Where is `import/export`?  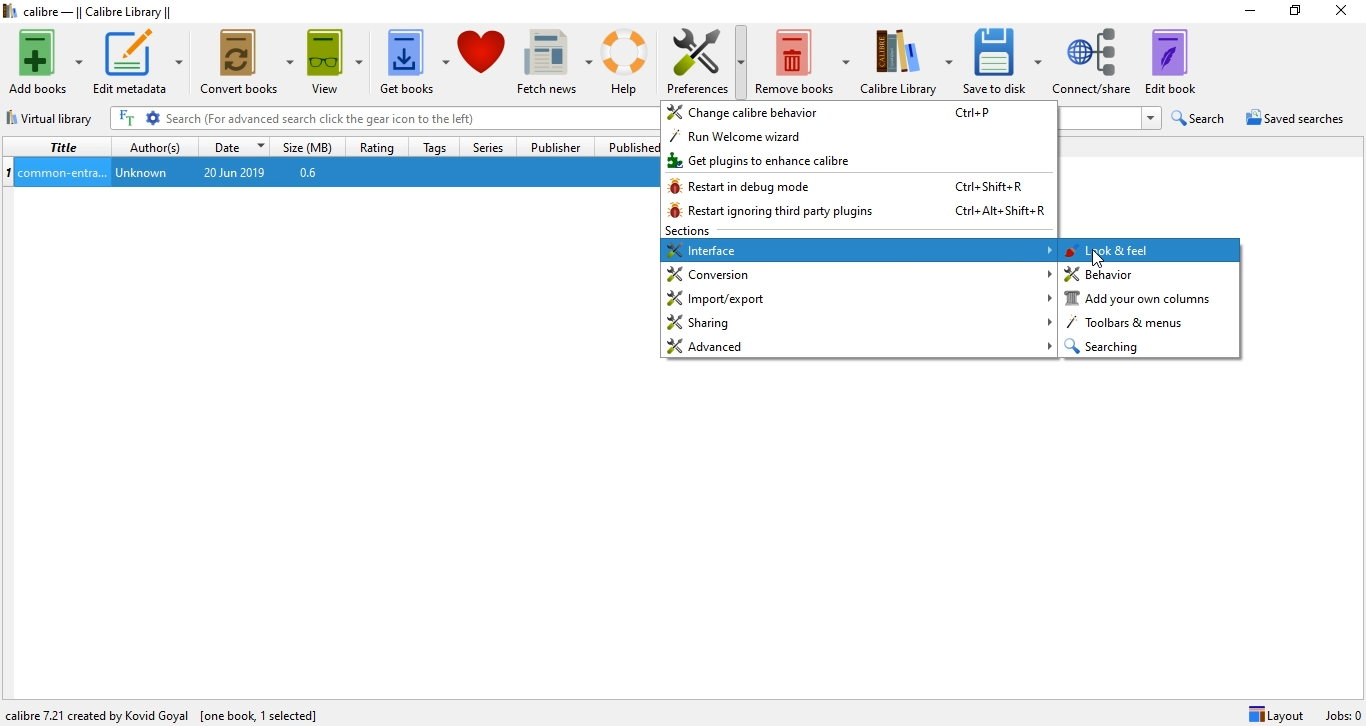
import/export is located at coordinates (859, 298).